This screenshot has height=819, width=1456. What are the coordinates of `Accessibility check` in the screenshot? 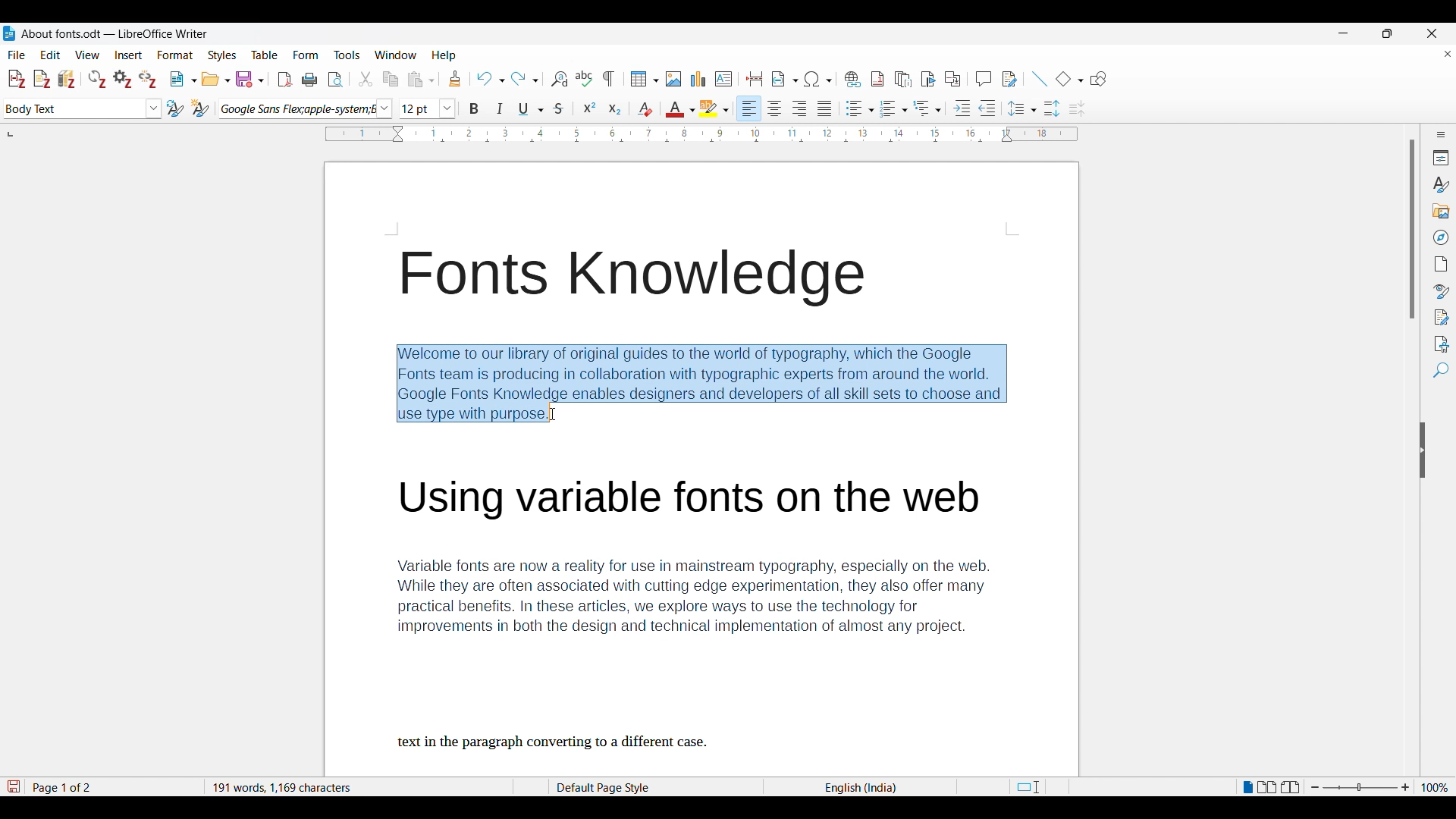 It's located at (1442, 344).